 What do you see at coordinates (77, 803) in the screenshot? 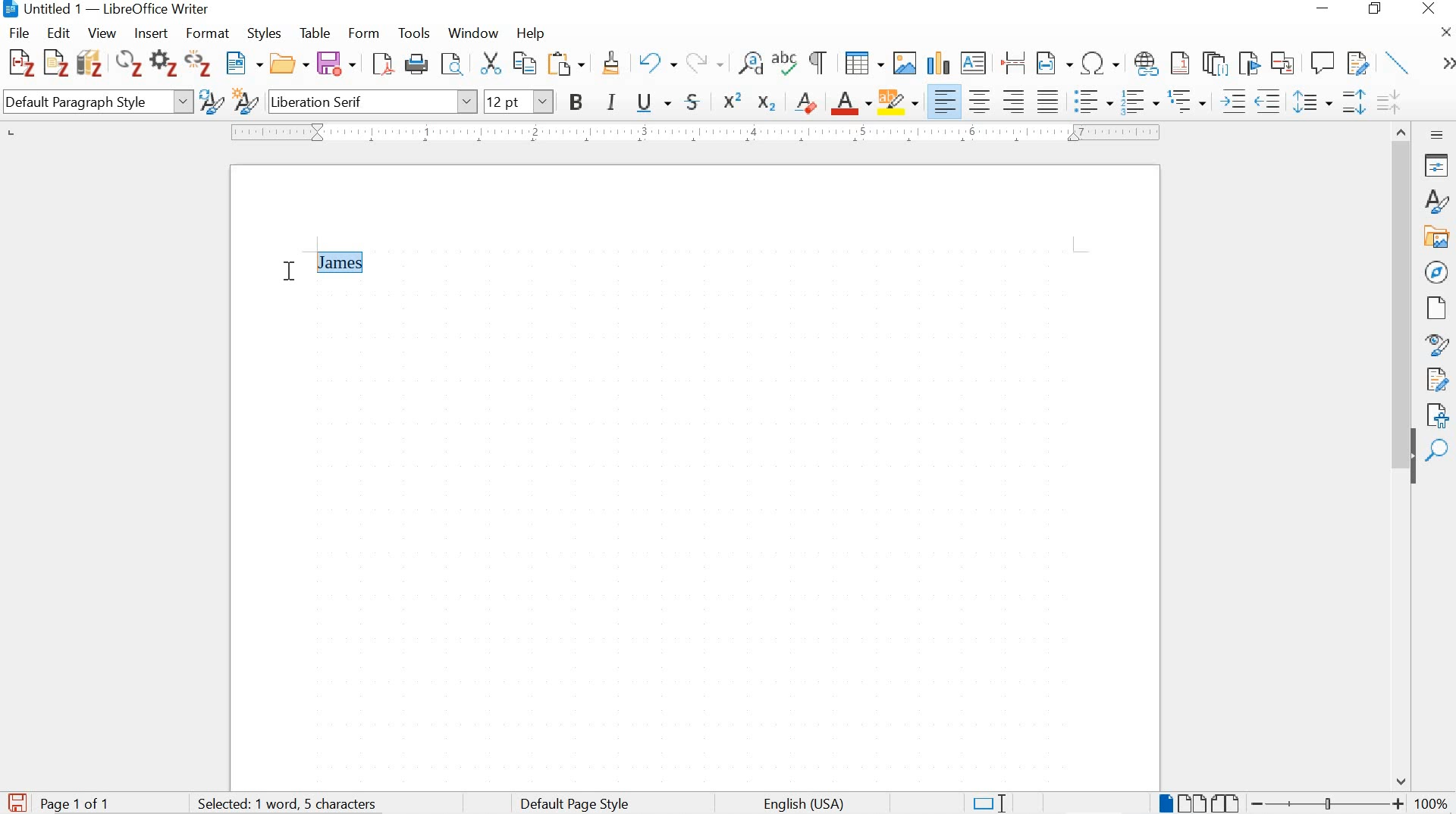
I see `page 1 of 1` at bounding box center [77, 803].